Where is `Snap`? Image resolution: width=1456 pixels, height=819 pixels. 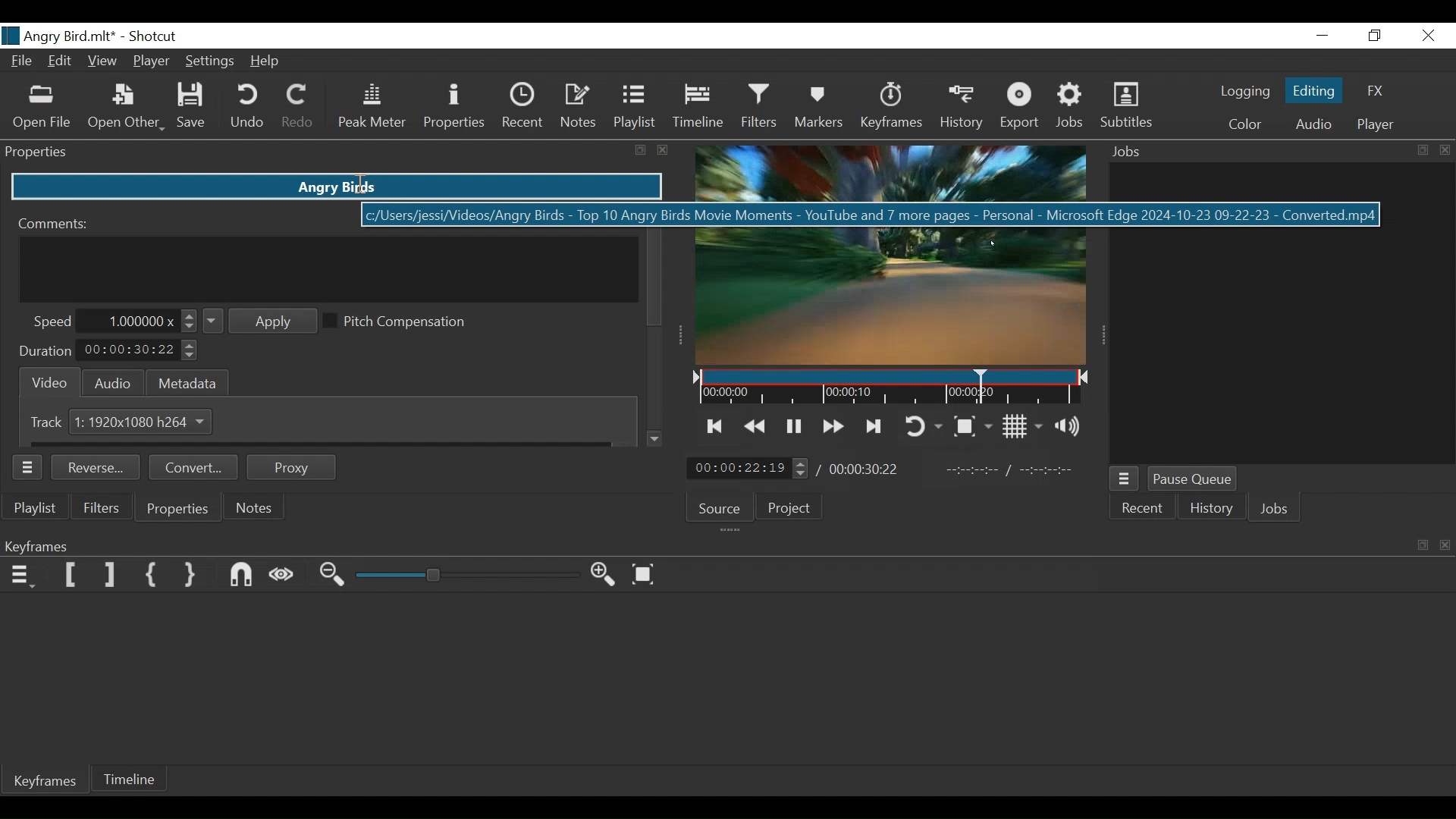
Snap is located at coordinates (243, 576).